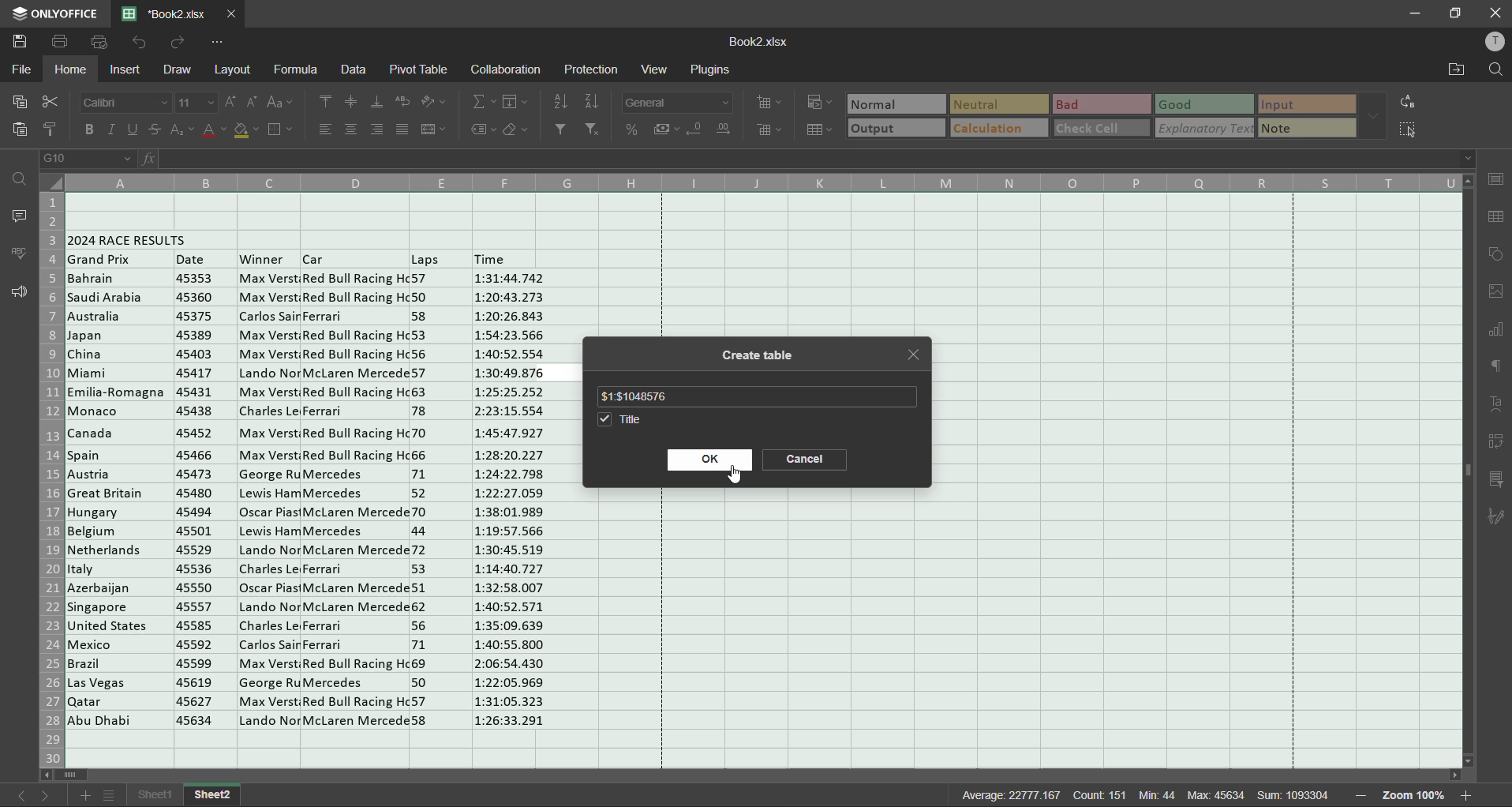  Describe the element at coordinates (296, 69) in the screenshot. I see `formula` at that location.